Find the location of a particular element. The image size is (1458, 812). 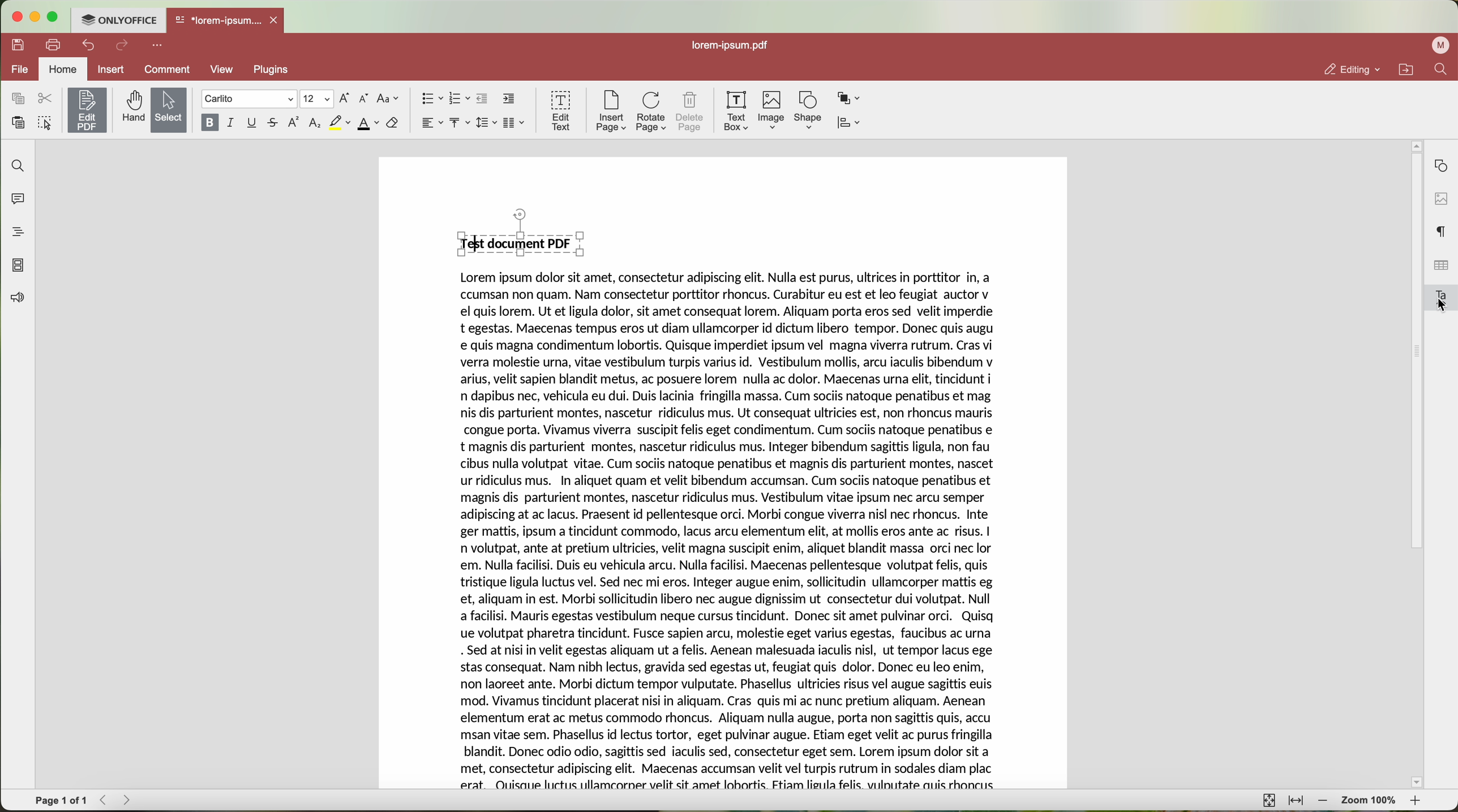

print is located at coordinates (53, 44).